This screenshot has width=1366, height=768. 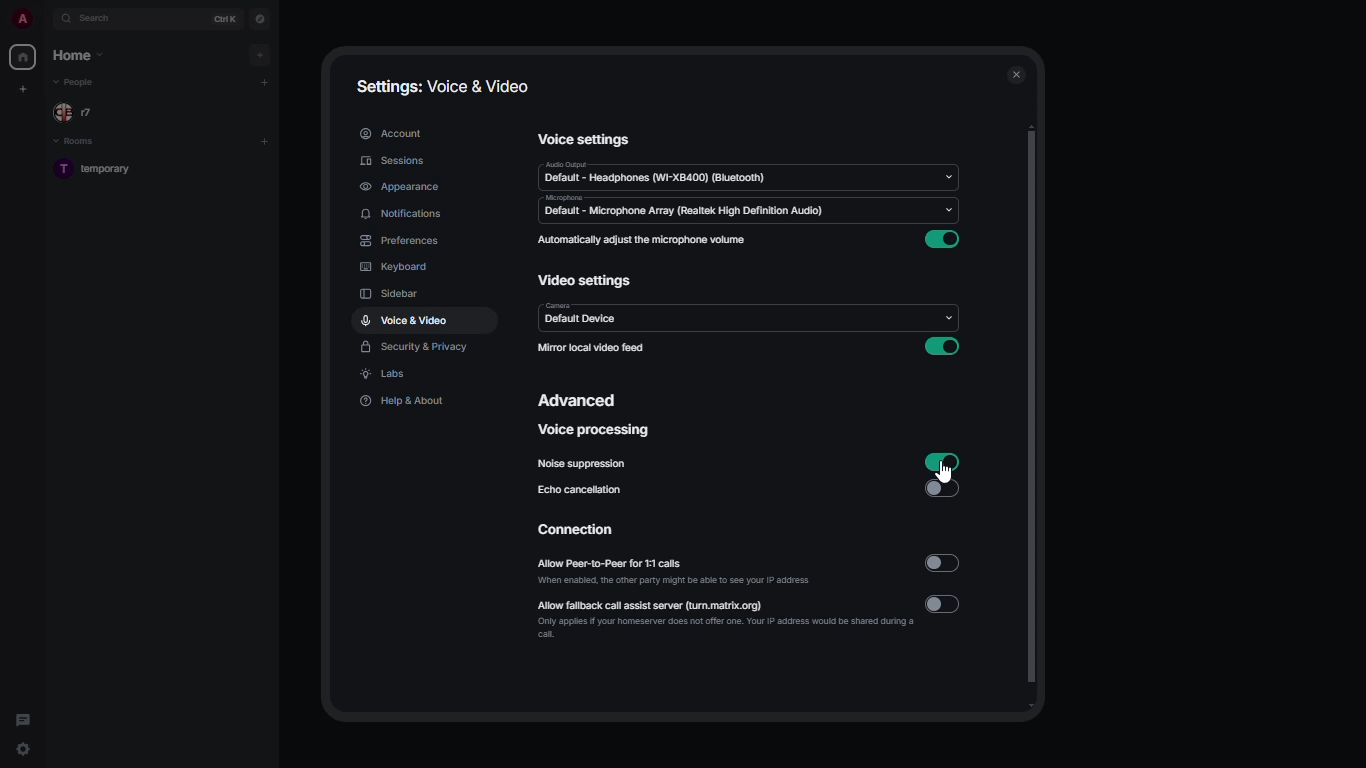 I want to click on echo cancellation, so click(x=581, y=491).